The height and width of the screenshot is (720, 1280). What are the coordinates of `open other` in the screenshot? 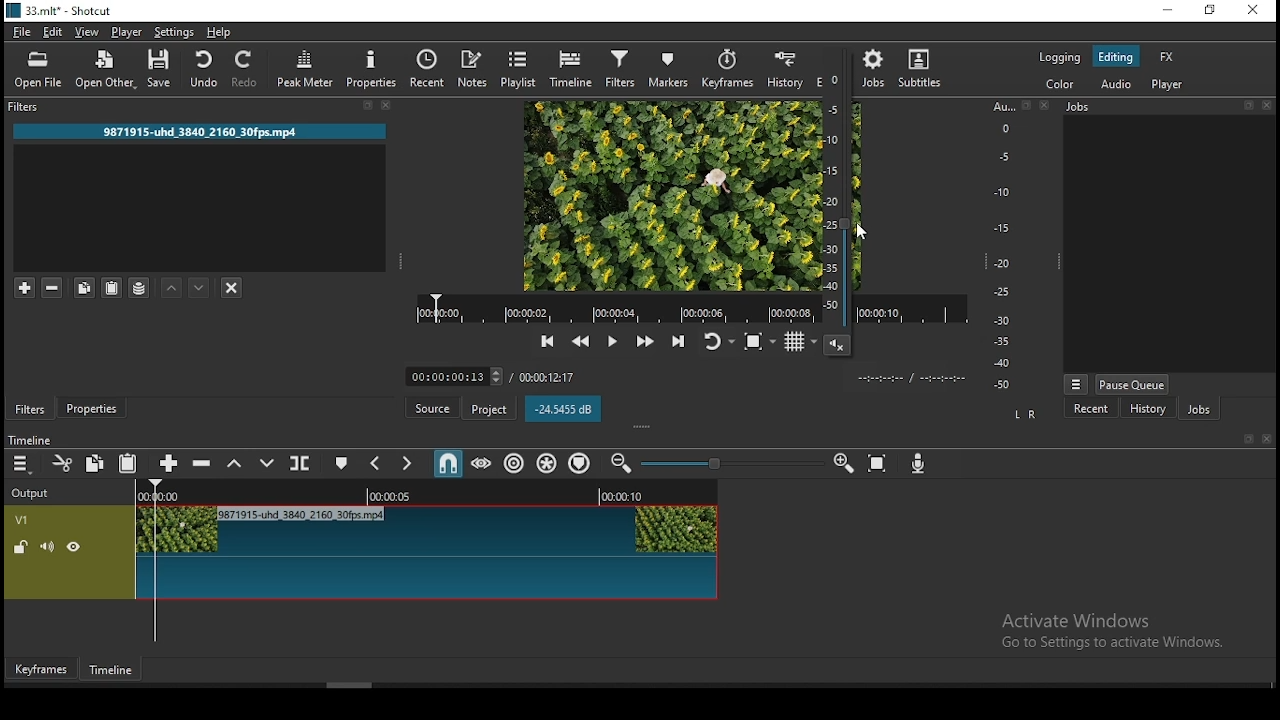 It's located at (107, 70).